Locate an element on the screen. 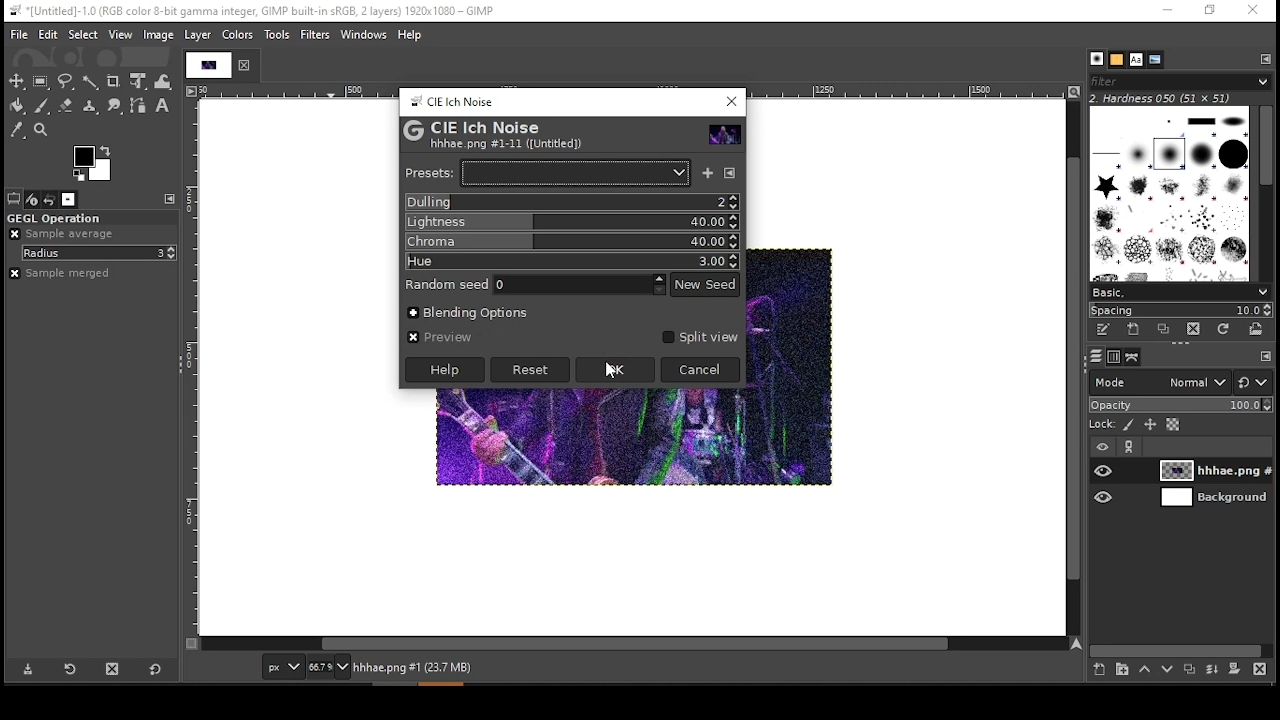 The width and height of the screenshot is (1280, 720). hhhae.png#1 (23.7 mb) is located at coordinates (415, 667).